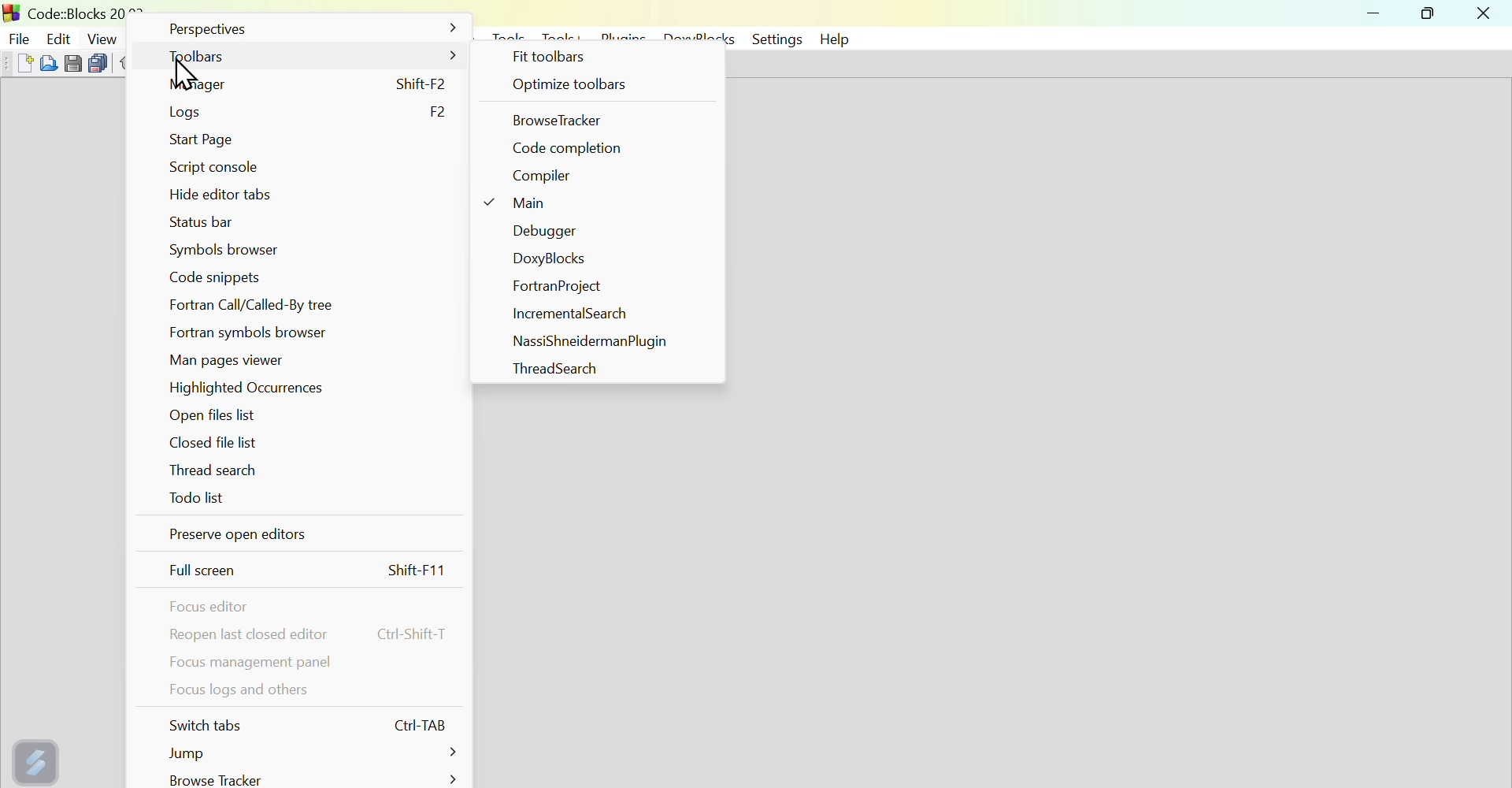 The image size is (1512, 788). I want to click on Preserve open editors, so click(298, 539).